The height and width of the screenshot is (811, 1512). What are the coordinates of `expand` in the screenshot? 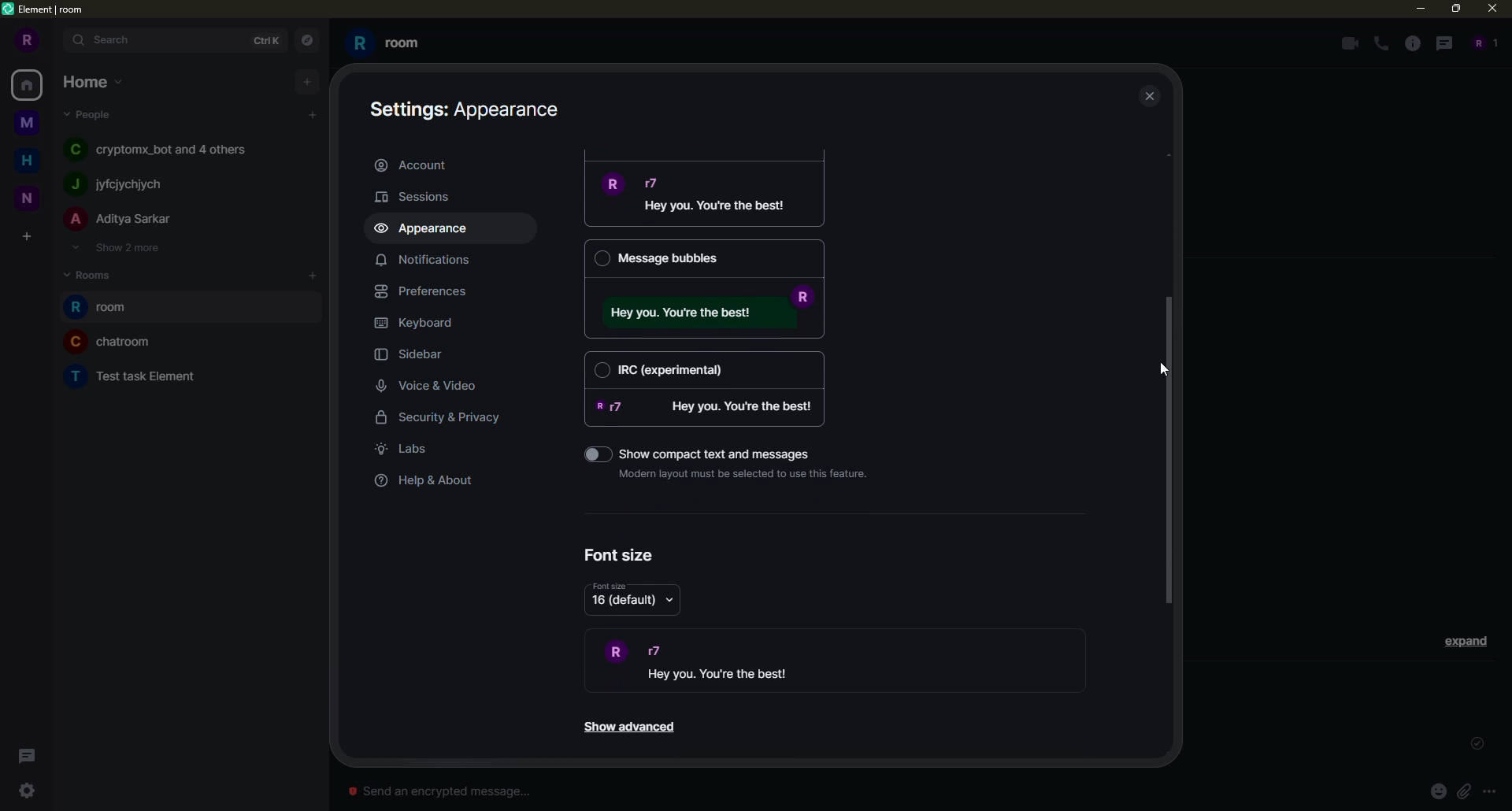 It's located at (1466, 640).